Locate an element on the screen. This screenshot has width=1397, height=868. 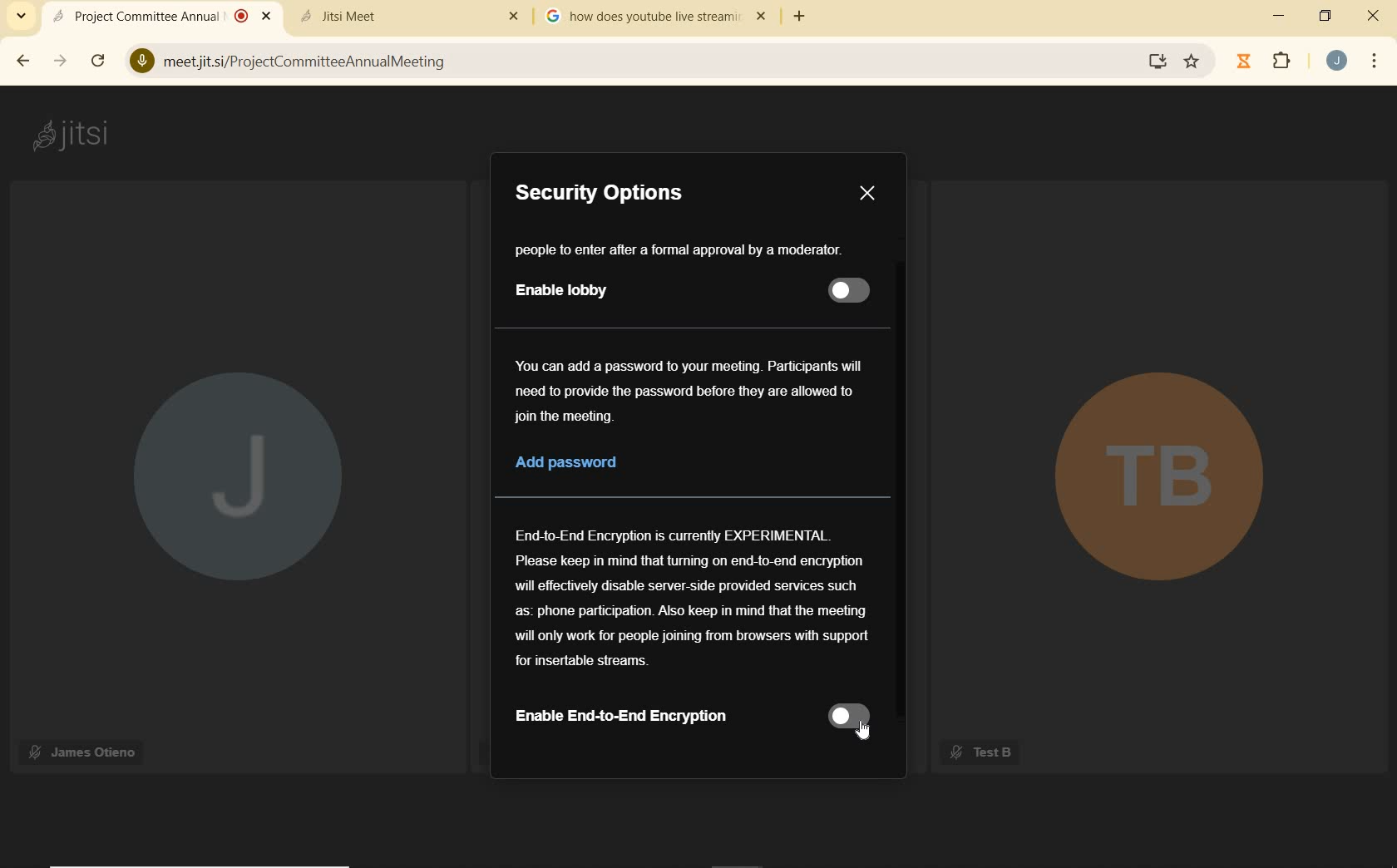
slider is located at coordinates (850, 288).